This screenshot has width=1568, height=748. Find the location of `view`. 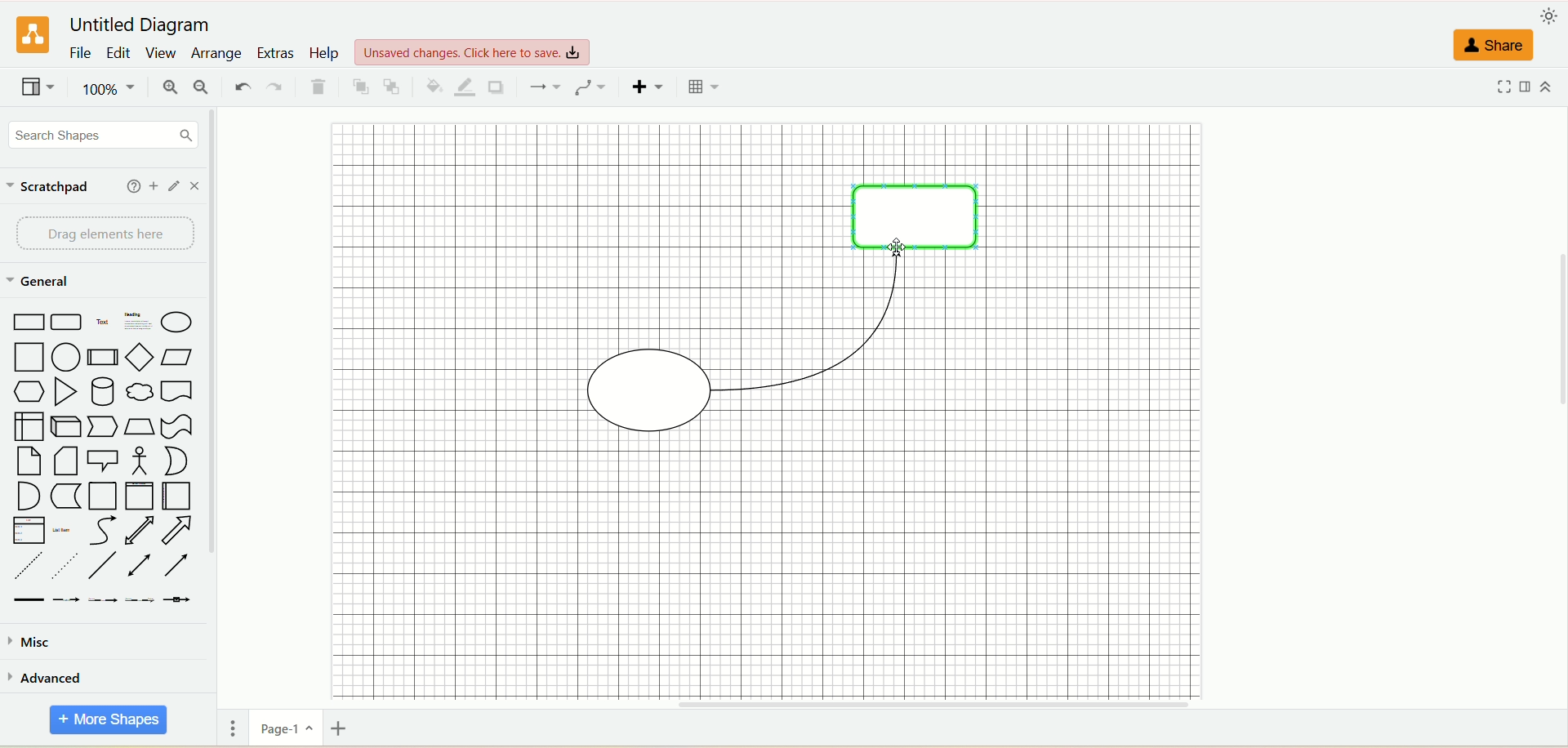

view is located at coordinates (38, 89).